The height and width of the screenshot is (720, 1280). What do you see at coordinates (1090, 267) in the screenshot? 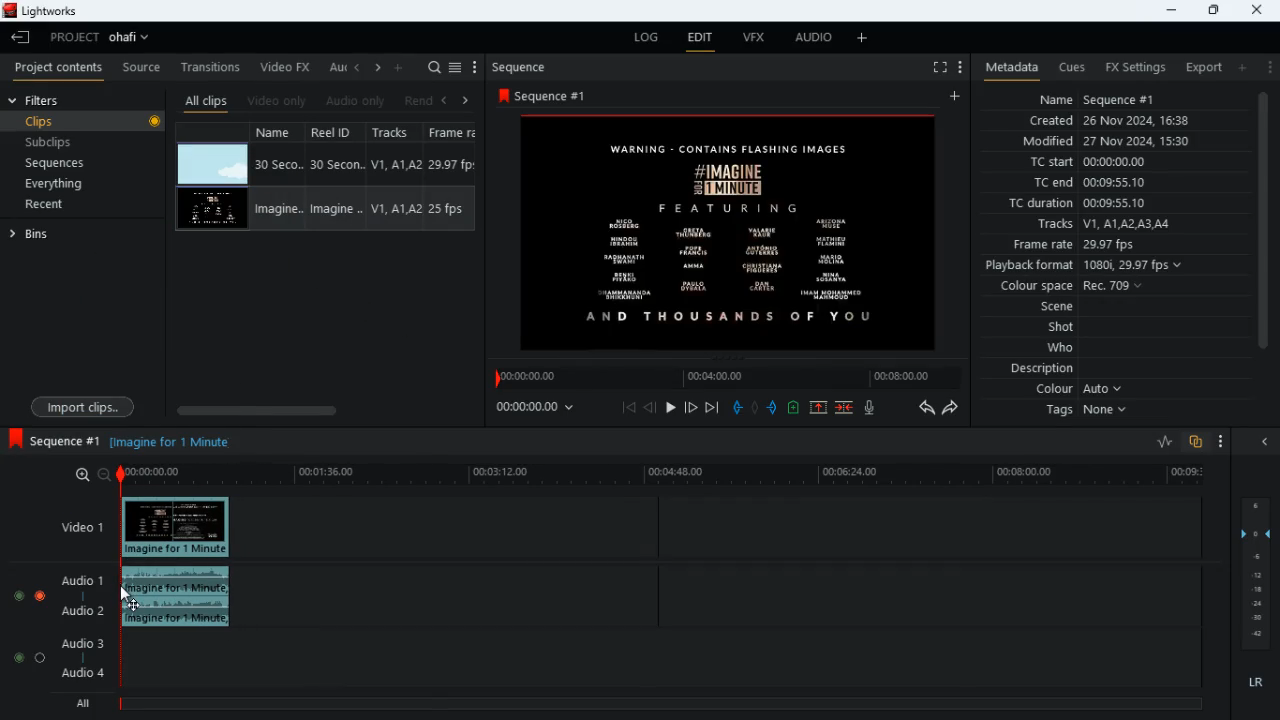
I see `playback format` at bounding box center [1090, 267].